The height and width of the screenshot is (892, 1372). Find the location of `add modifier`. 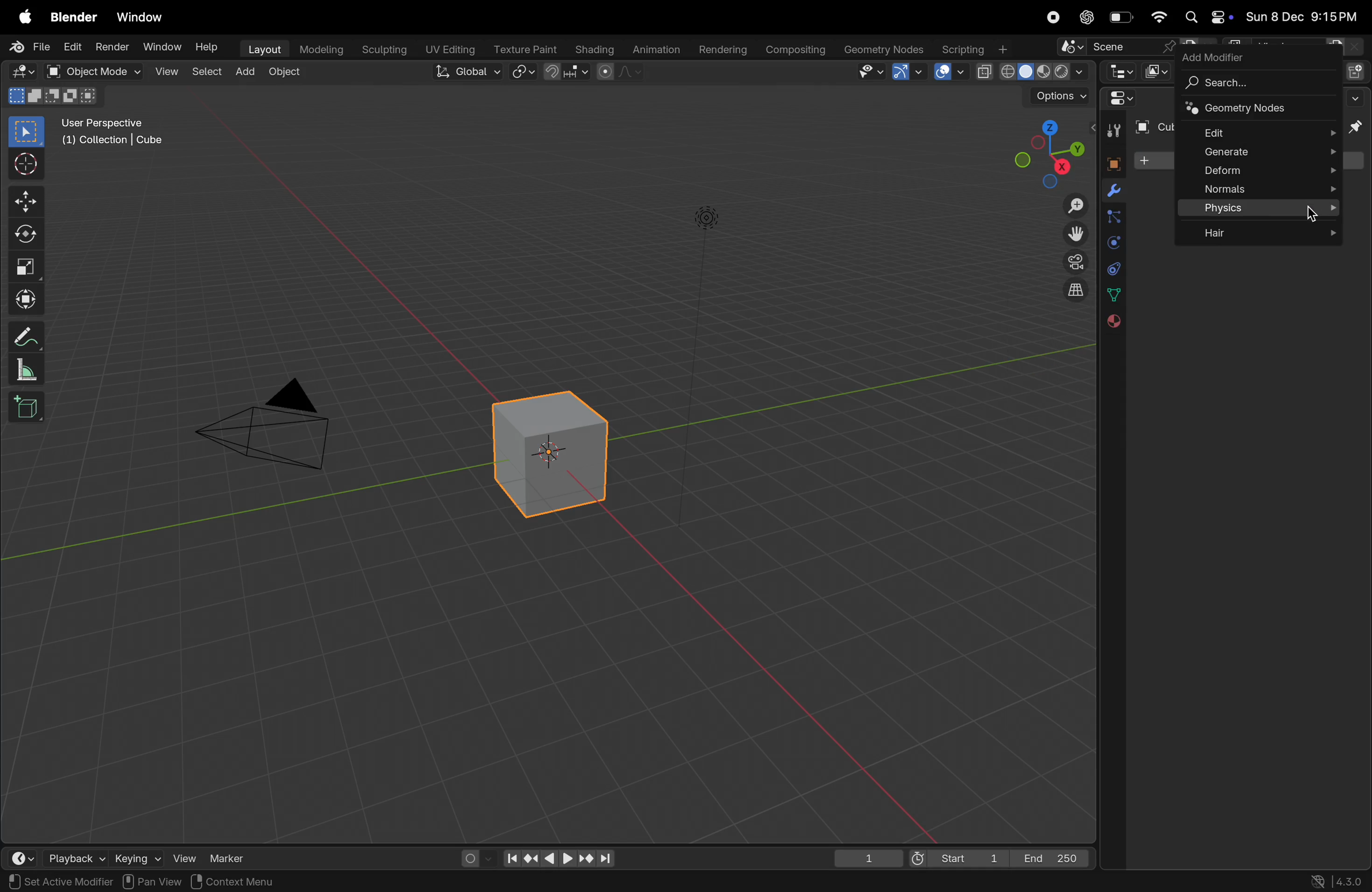

add modifier is located at coordinates (1217, 56).